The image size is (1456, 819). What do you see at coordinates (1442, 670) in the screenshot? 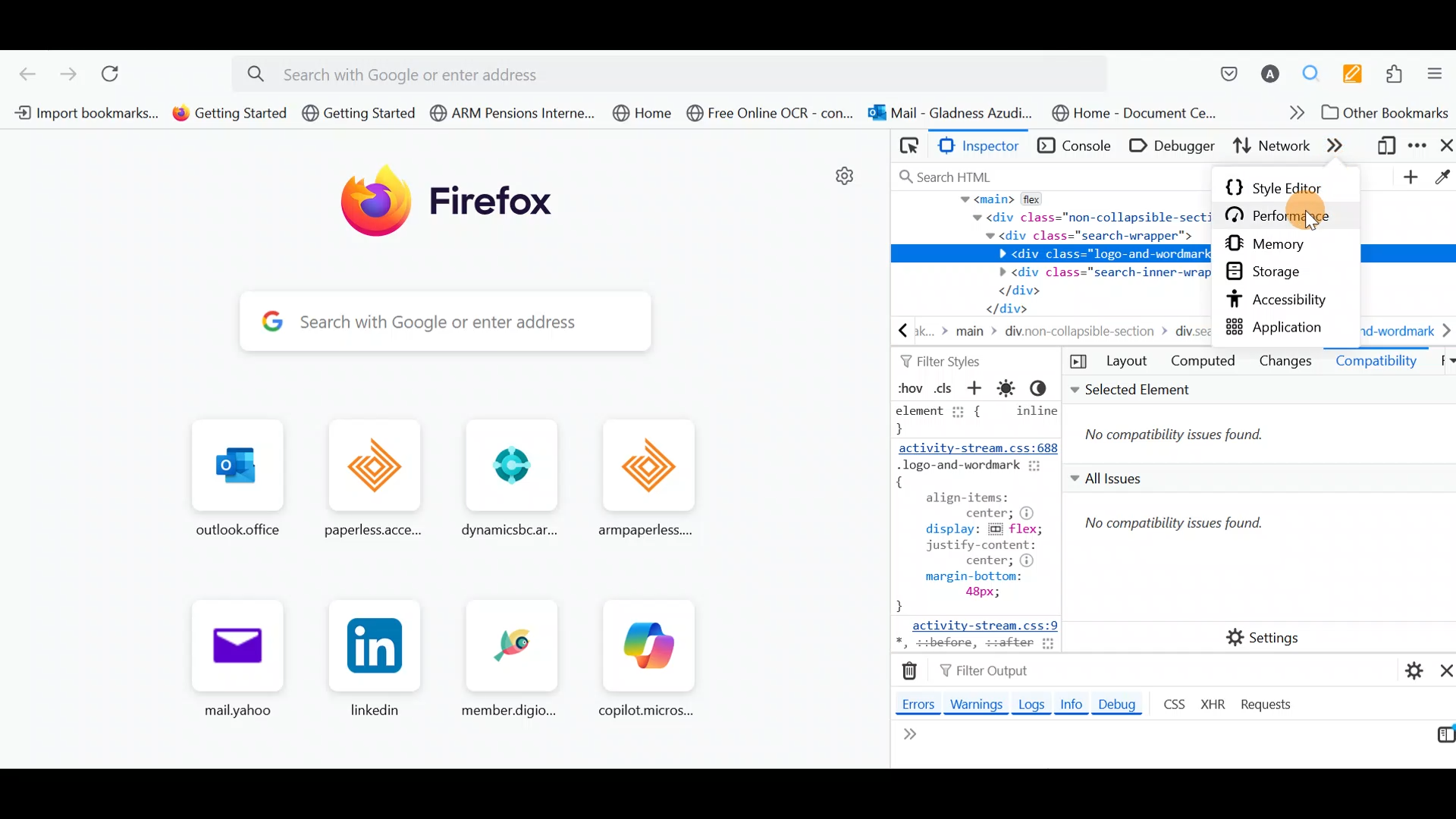
I see `Close split console ` at bounding box center [1442, 670].